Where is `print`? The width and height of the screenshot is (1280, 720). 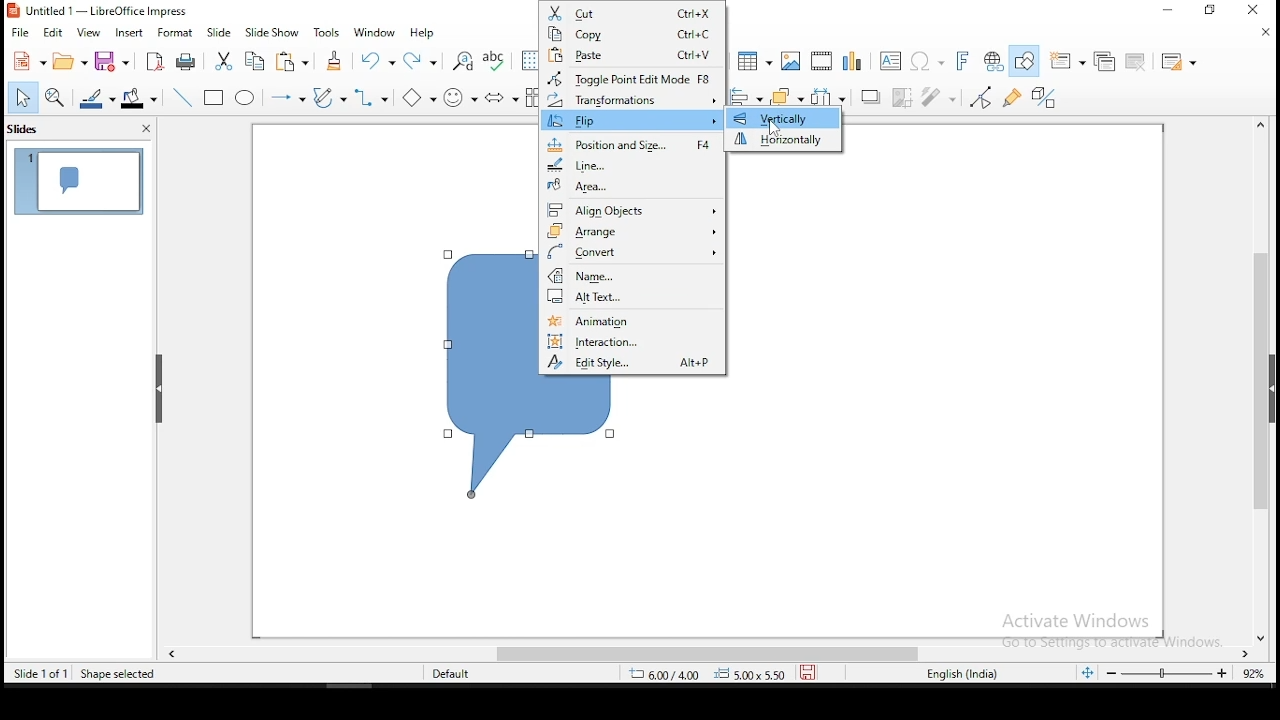
print is located at coordinates (183, 62).